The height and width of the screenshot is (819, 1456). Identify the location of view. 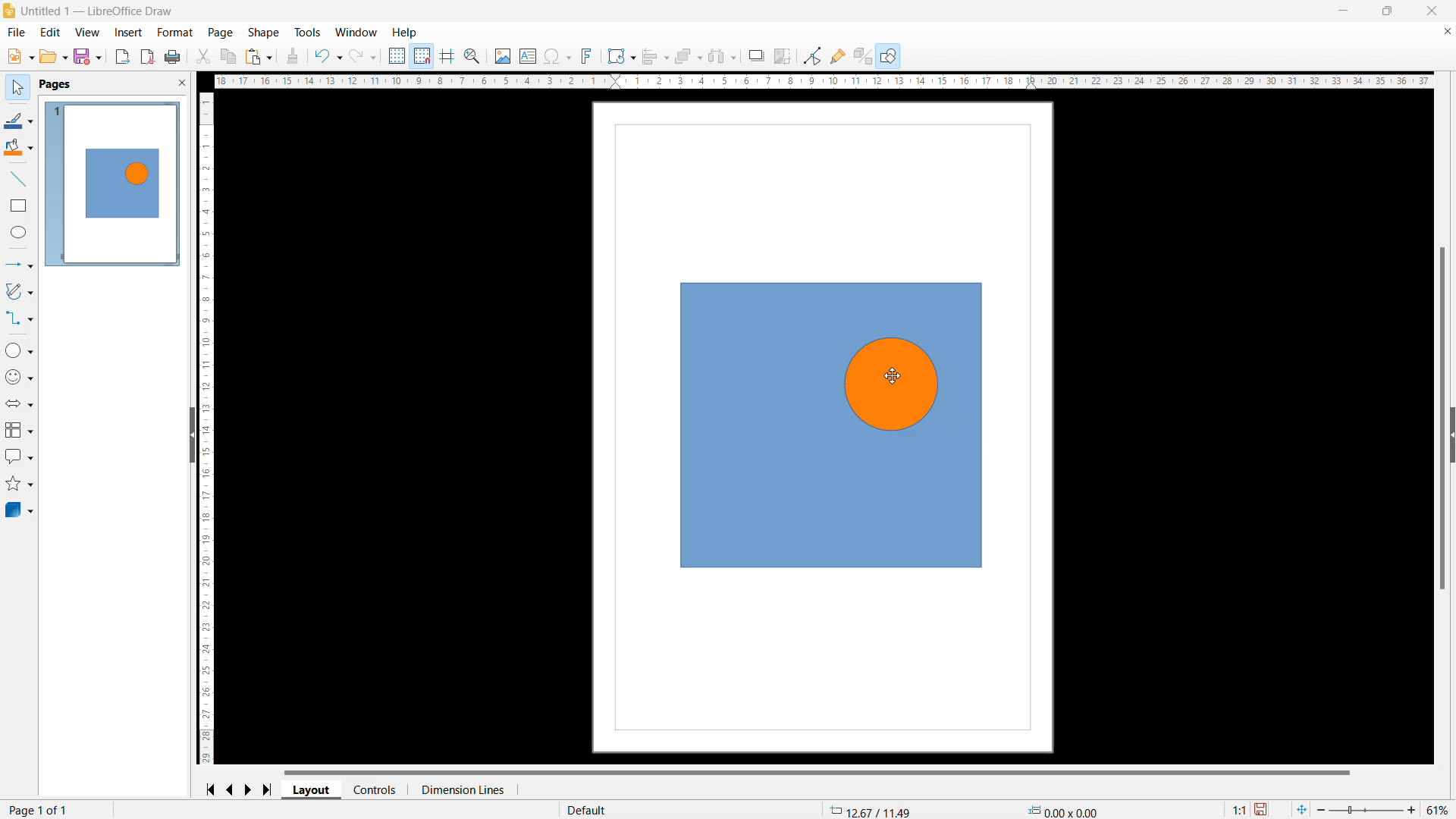
(86, 33).